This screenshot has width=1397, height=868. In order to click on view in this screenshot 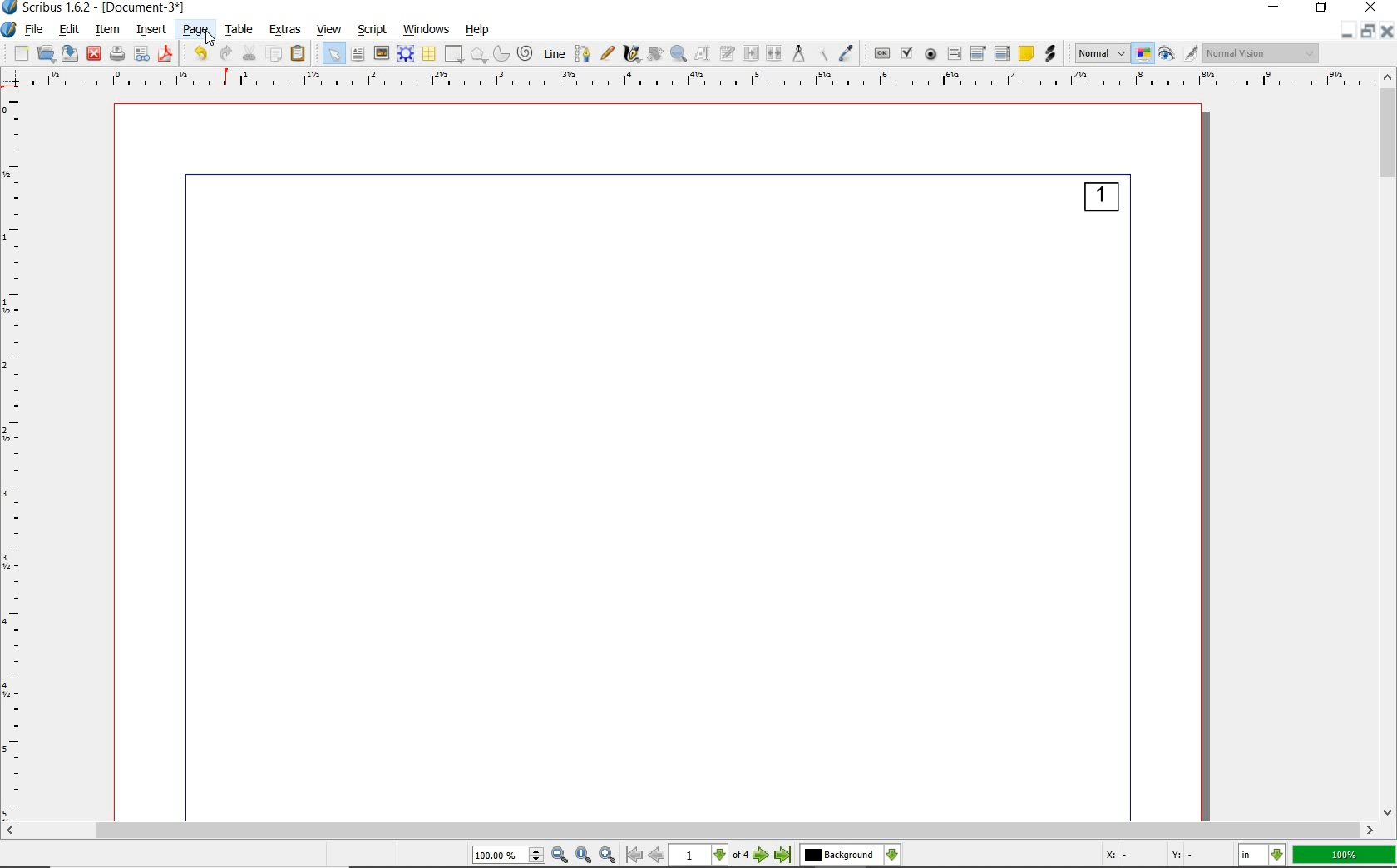, I will do `click(329, 28)`.